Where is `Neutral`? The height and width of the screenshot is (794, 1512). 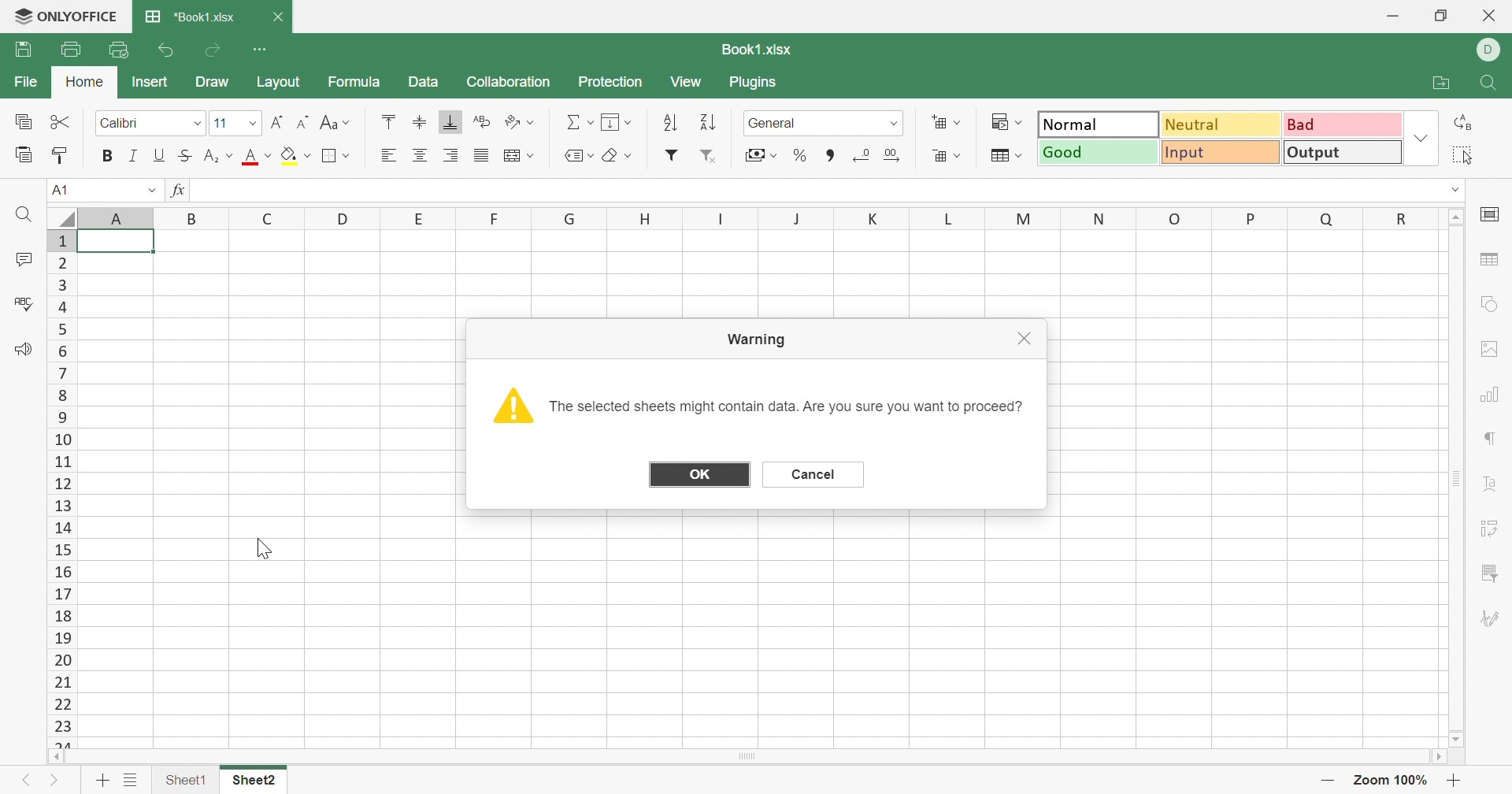 Neutral is located at coordinates (1218, 124).